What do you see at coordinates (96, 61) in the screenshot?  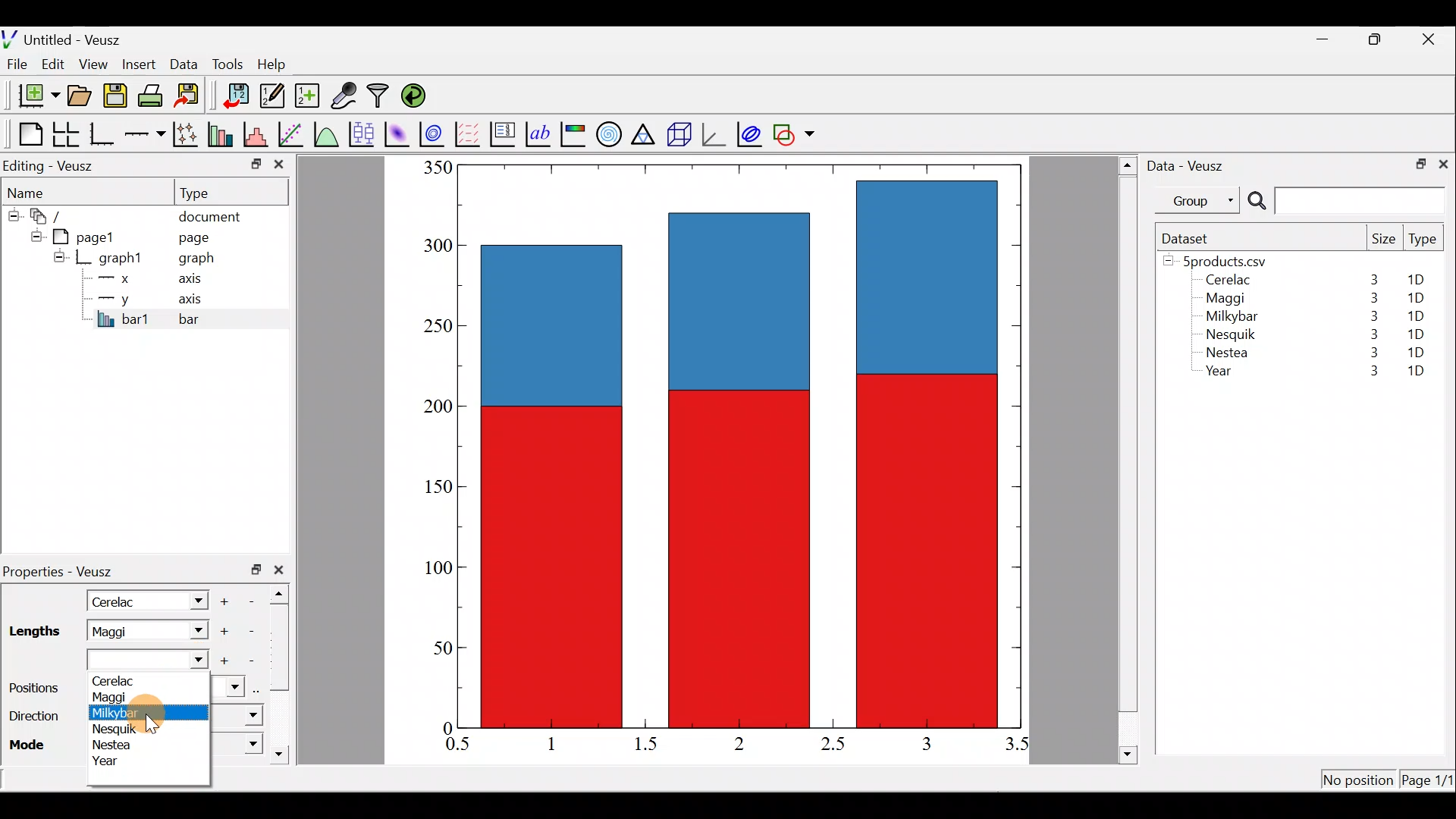 I see `View` at bounding box center [96, 61].